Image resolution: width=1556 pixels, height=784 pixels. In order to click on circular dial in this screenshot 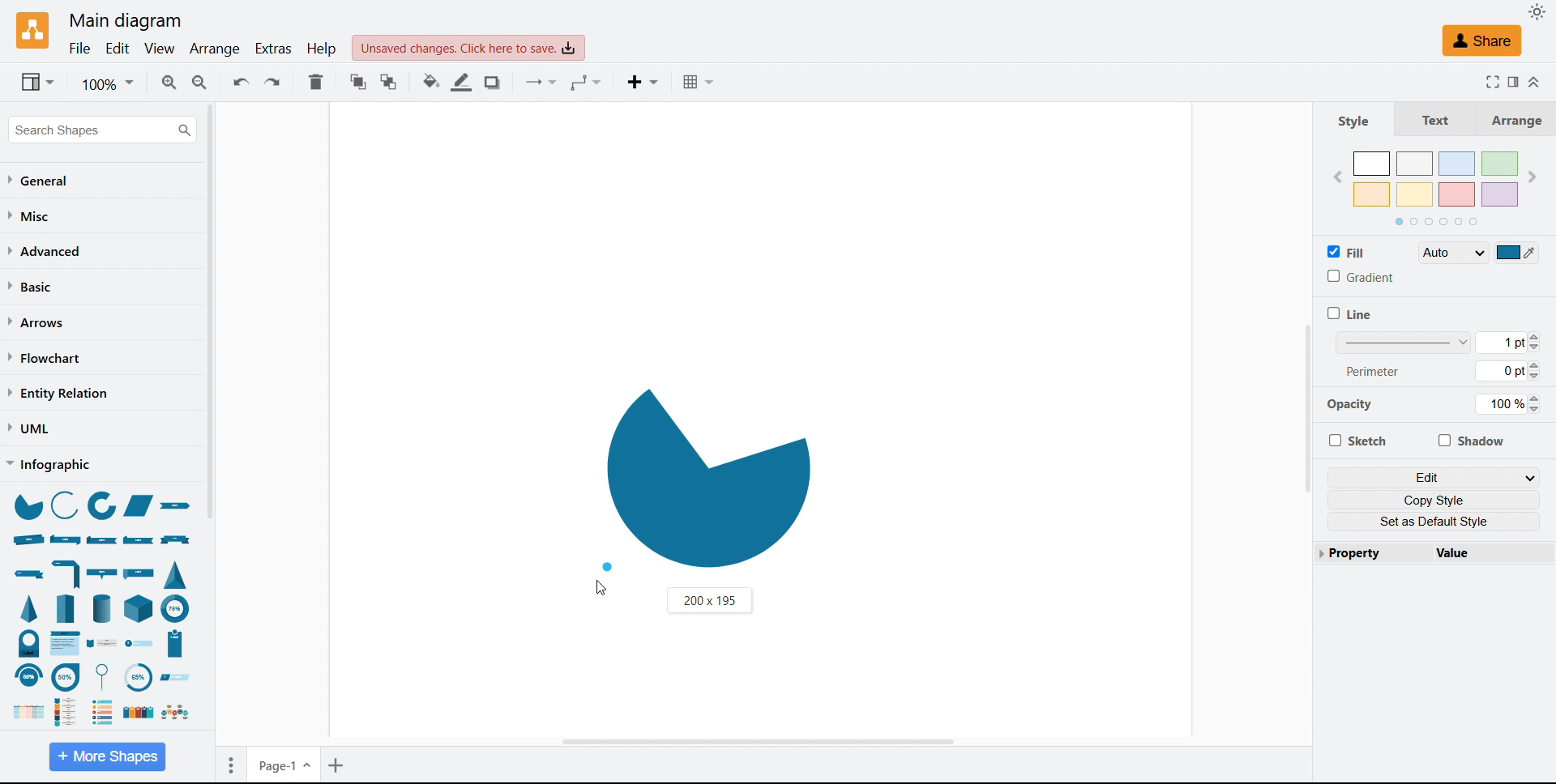, I will do `click(137, 678)`.